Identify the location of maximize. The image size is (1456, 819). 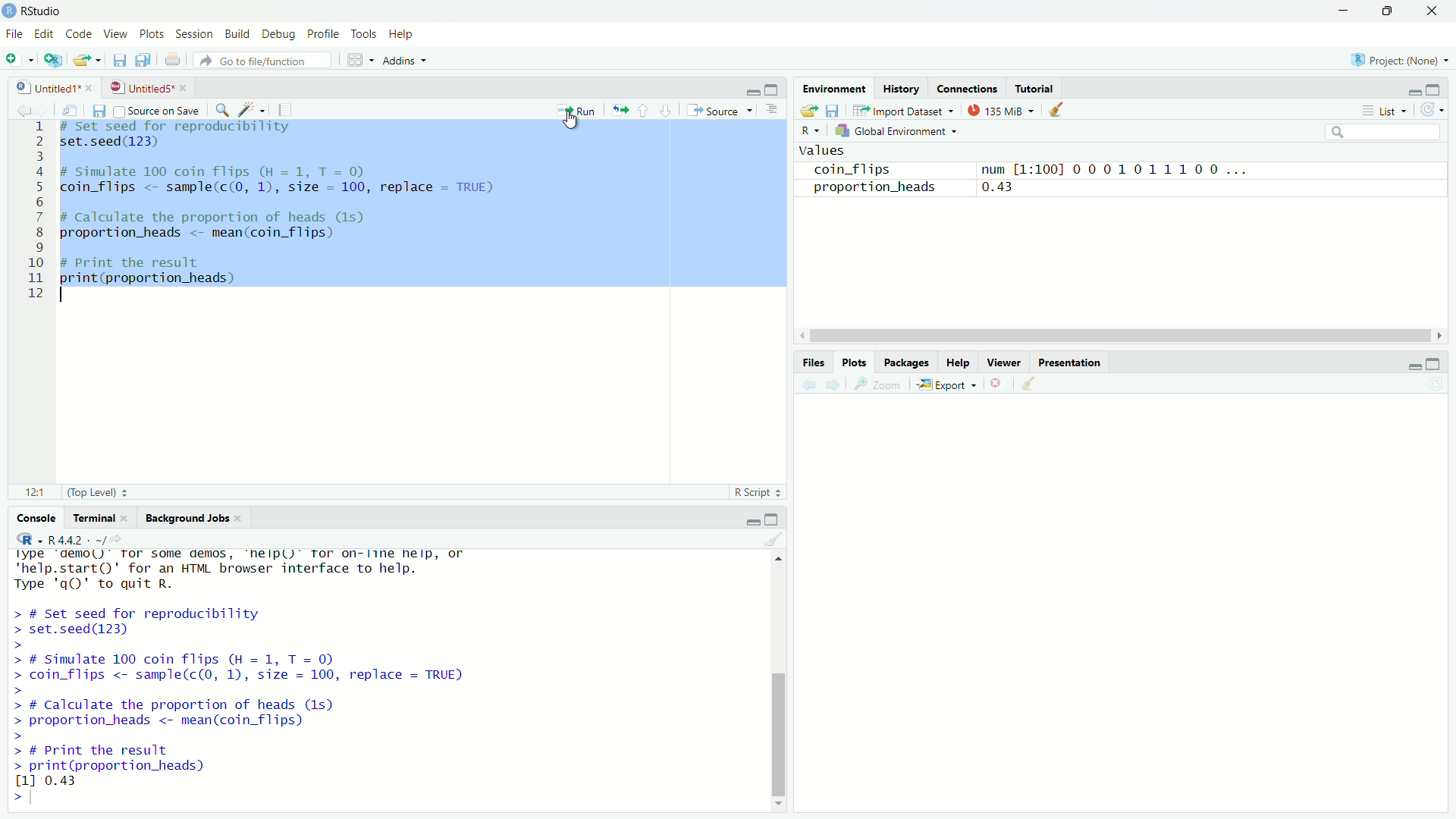
(1388, 10).